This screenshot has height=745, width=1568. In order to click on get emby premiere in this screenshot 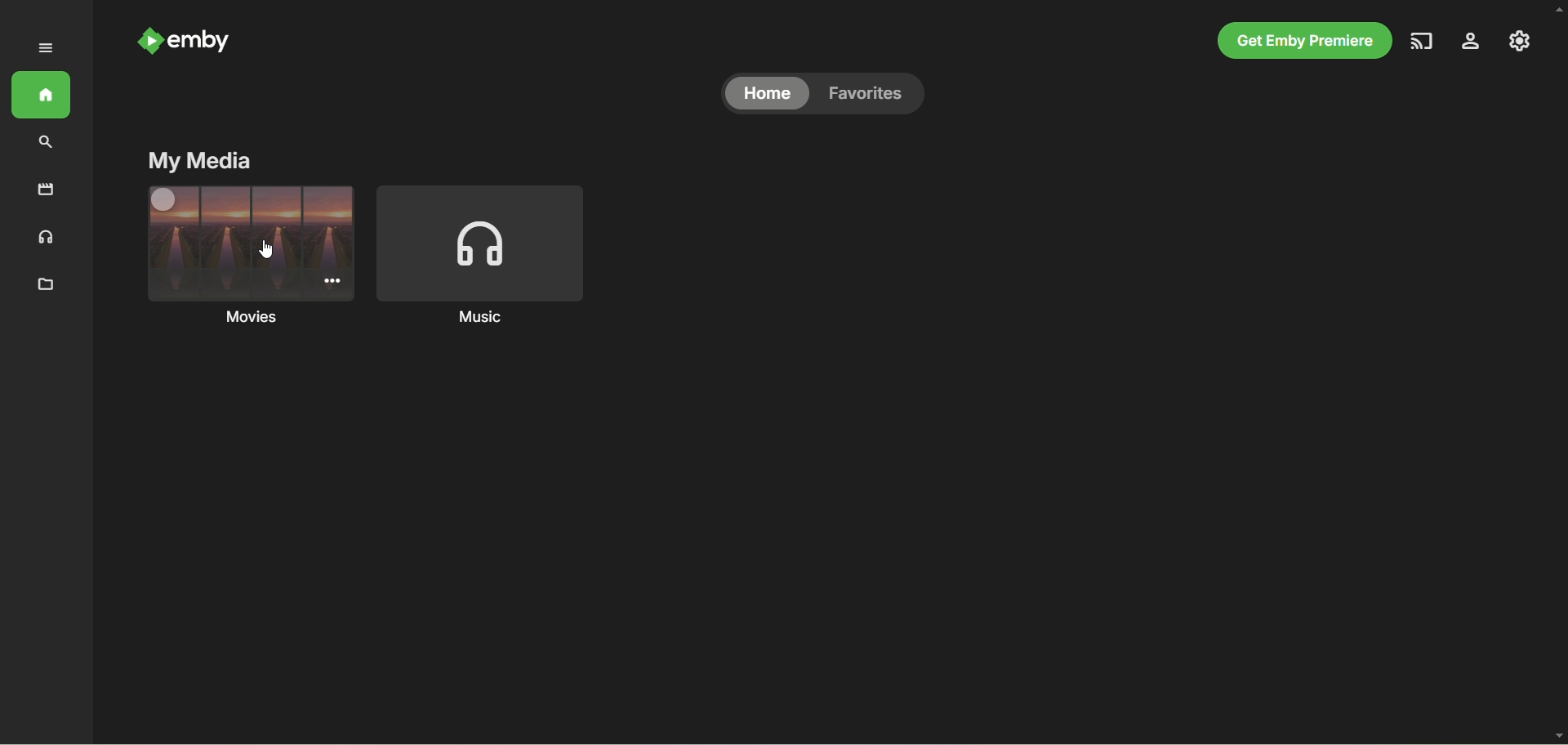, I will do `click(1305, 39)`.